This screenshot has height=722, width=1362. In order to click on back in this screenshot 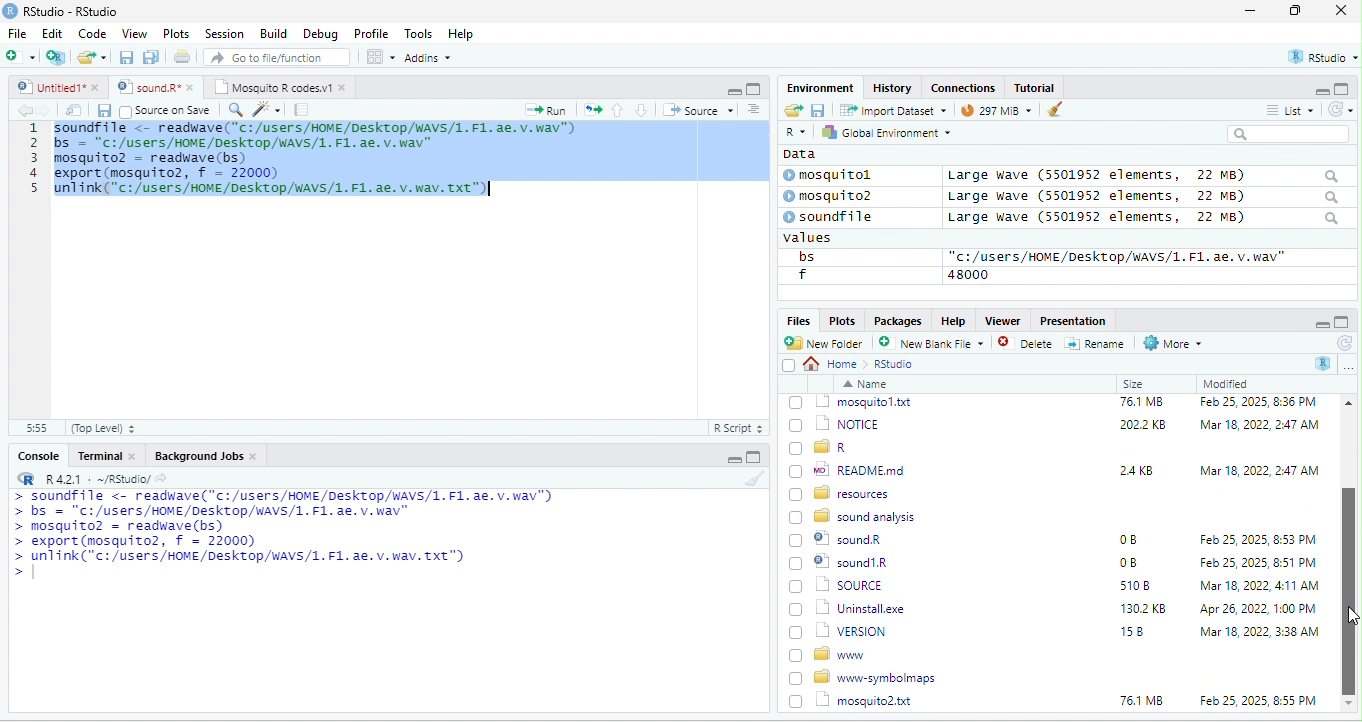, I will do `click(28, 111)`.